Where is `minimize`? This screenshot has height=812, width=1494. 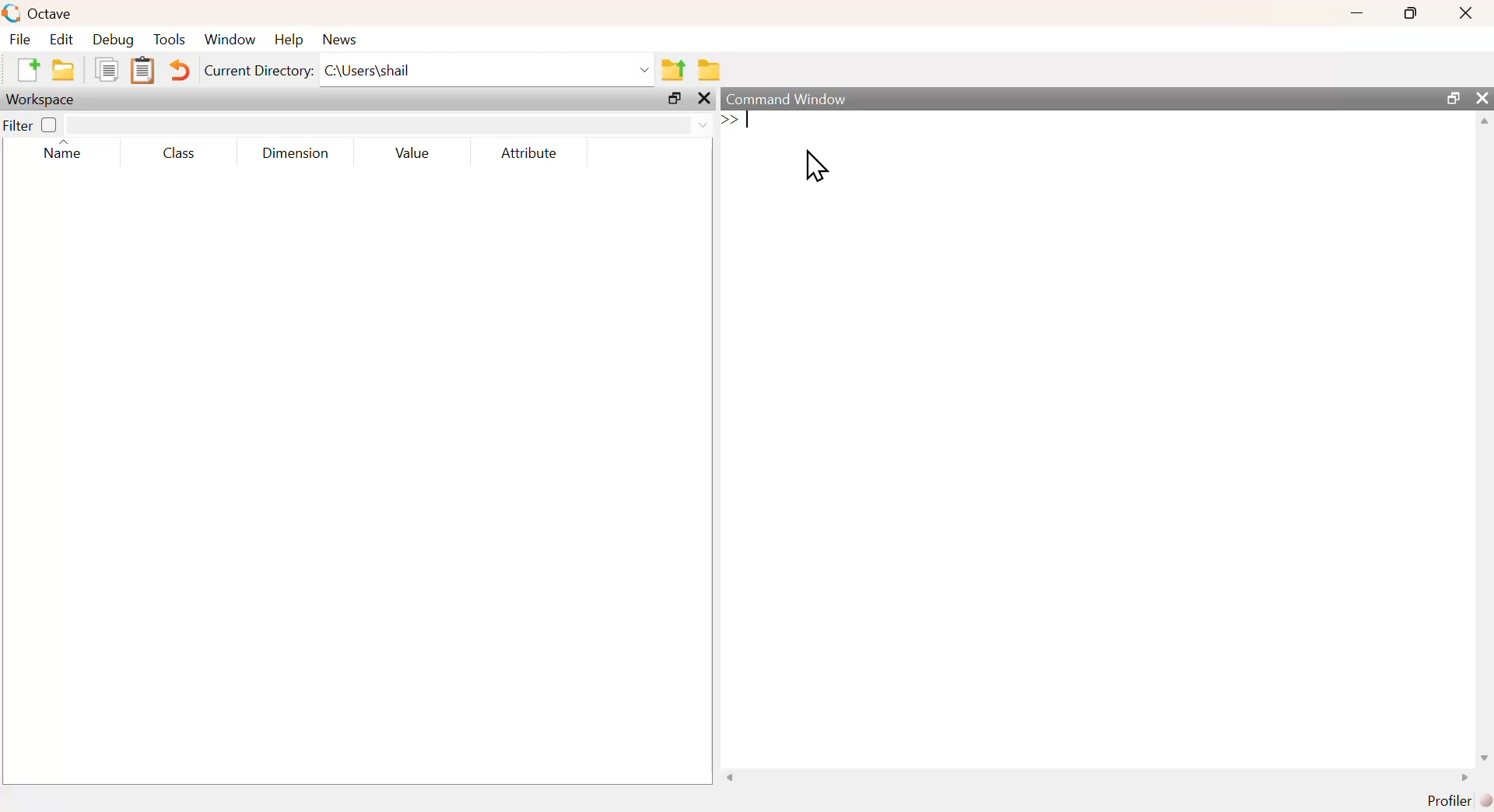
minimize is located at coordinates (1355, 14).